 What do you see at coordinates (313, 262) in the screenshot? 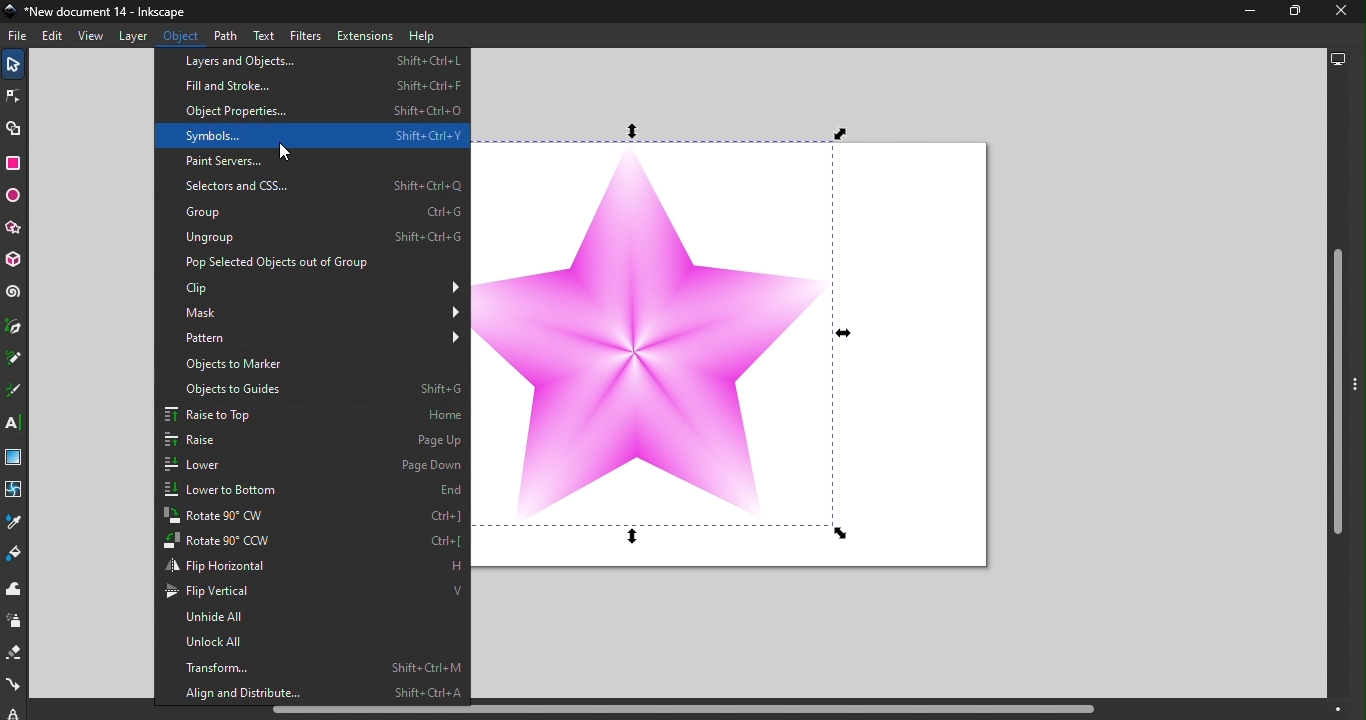
I see `Pop Select objects out of Group` at bounding box center [313, 262].